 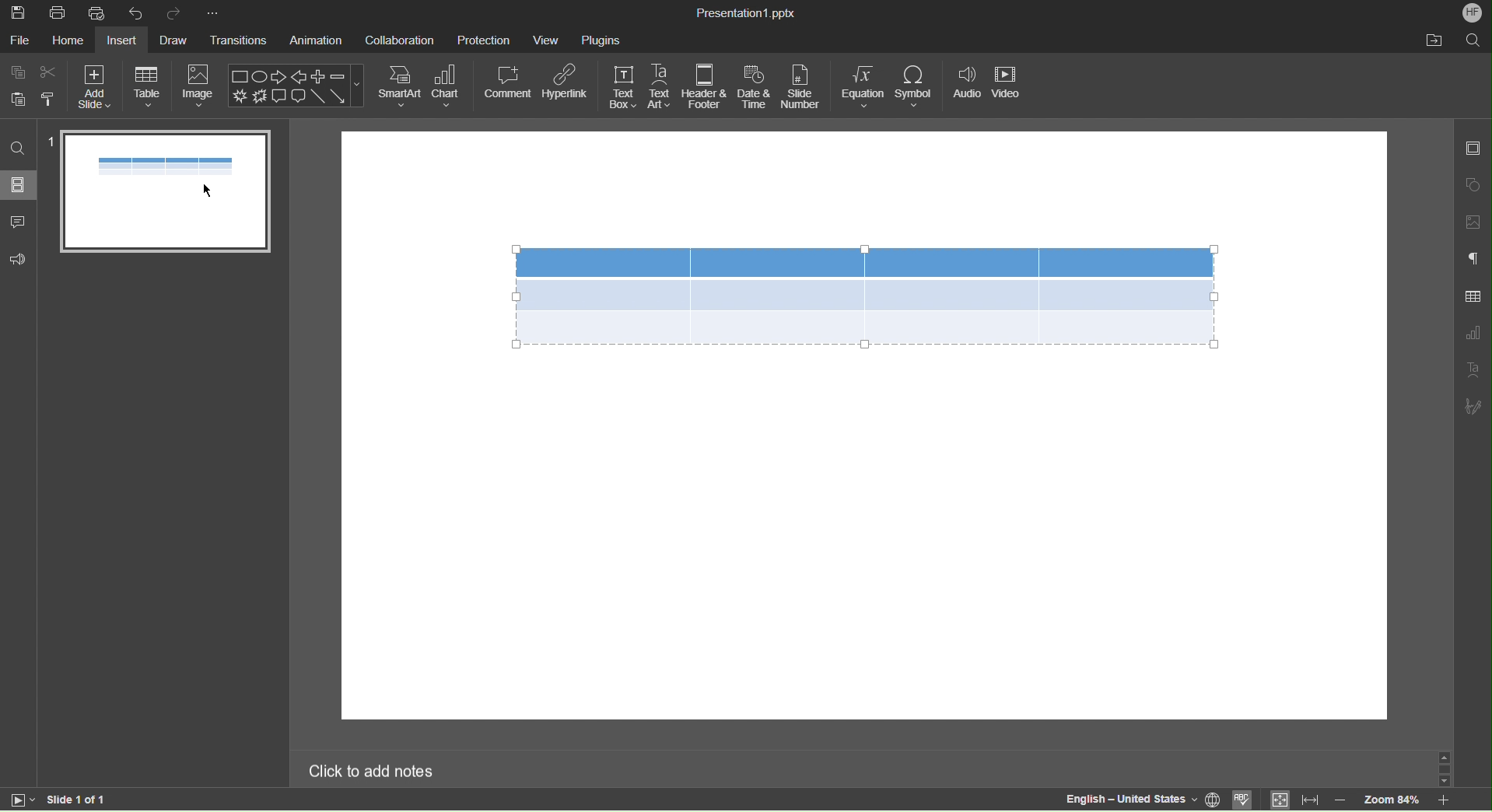 What do you see at coordinates (485, 39) in the screenshot?
I see `Protection` at bounding box center [485, 39].